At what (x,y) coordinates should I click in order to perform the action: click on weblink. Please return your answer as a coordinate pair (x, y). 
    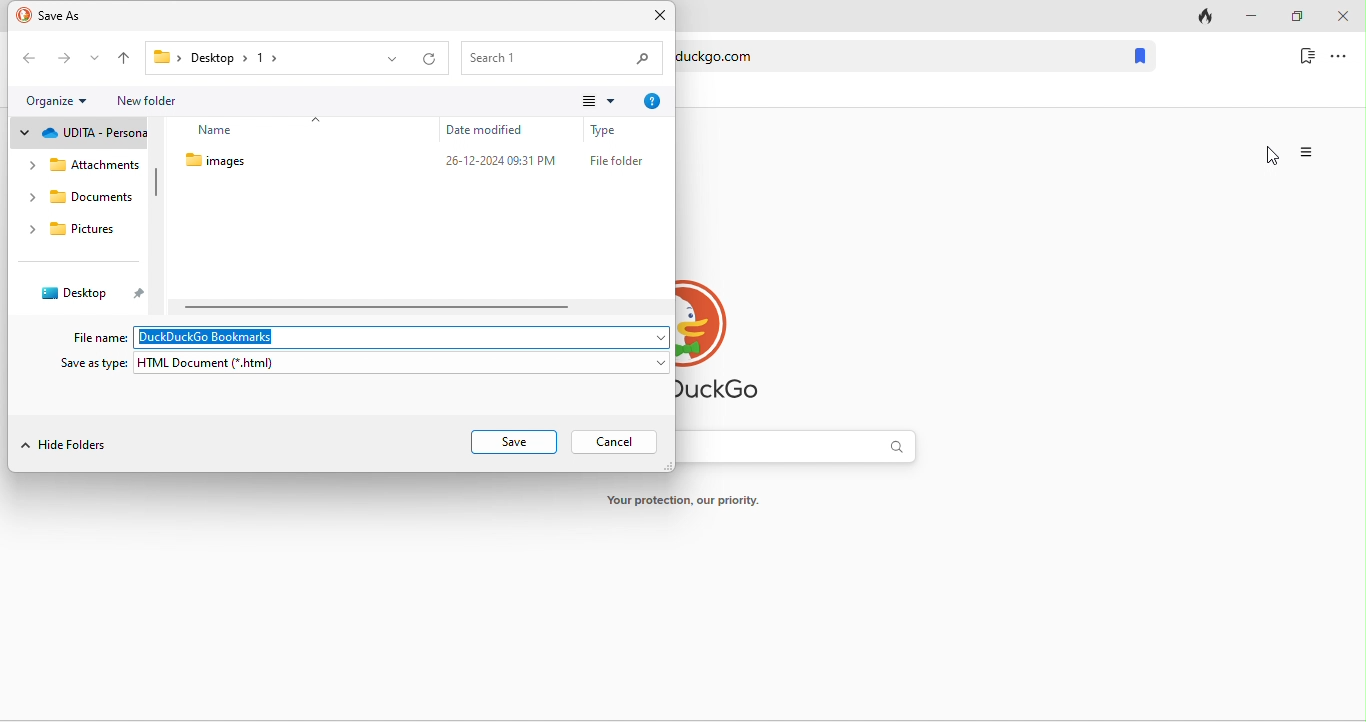
    Looking at the image, I should click on (895, 56).